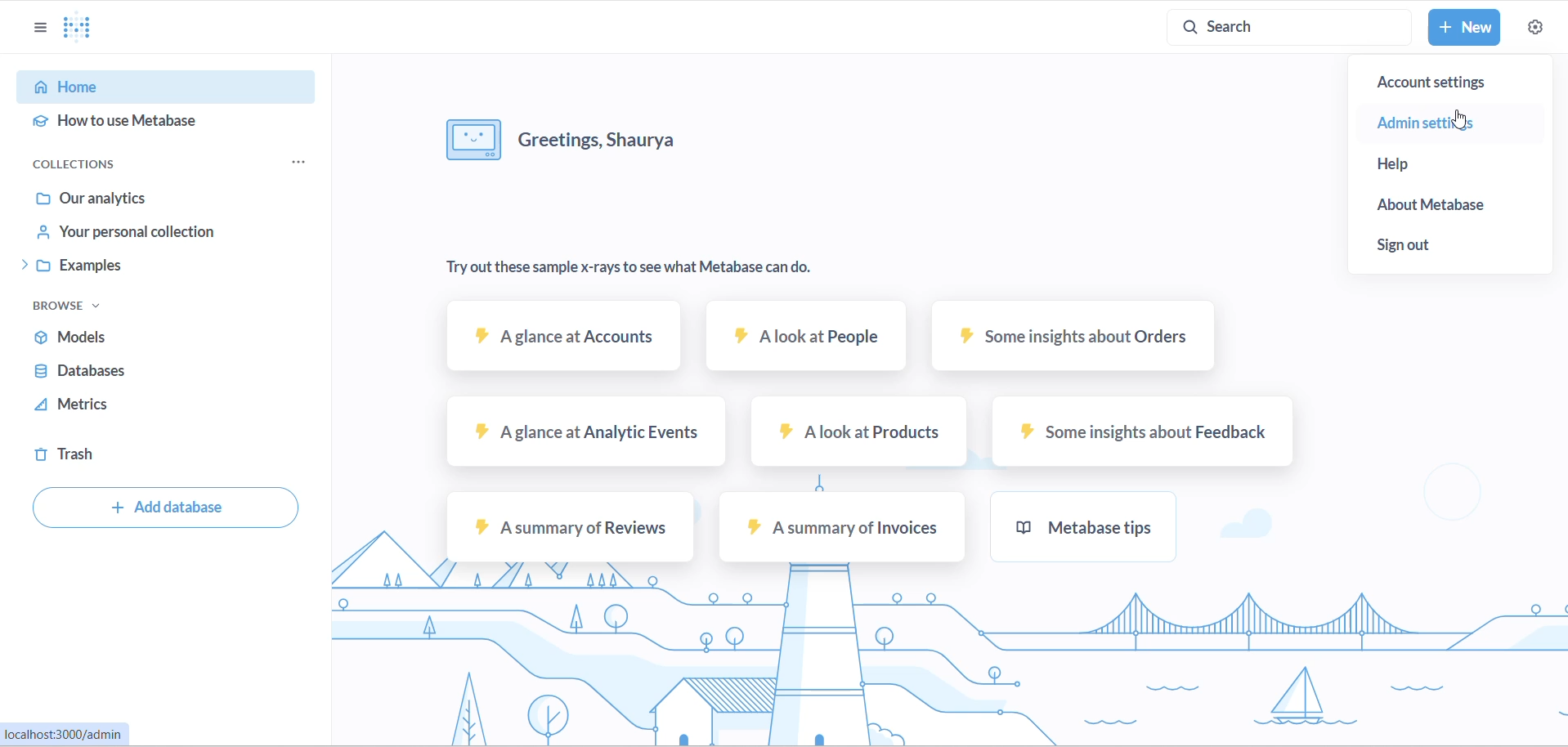 This screenshot has height=747, width=1568. Describe the element at coordinates (1424, 167) in the screenshot. I see `help` at that location.